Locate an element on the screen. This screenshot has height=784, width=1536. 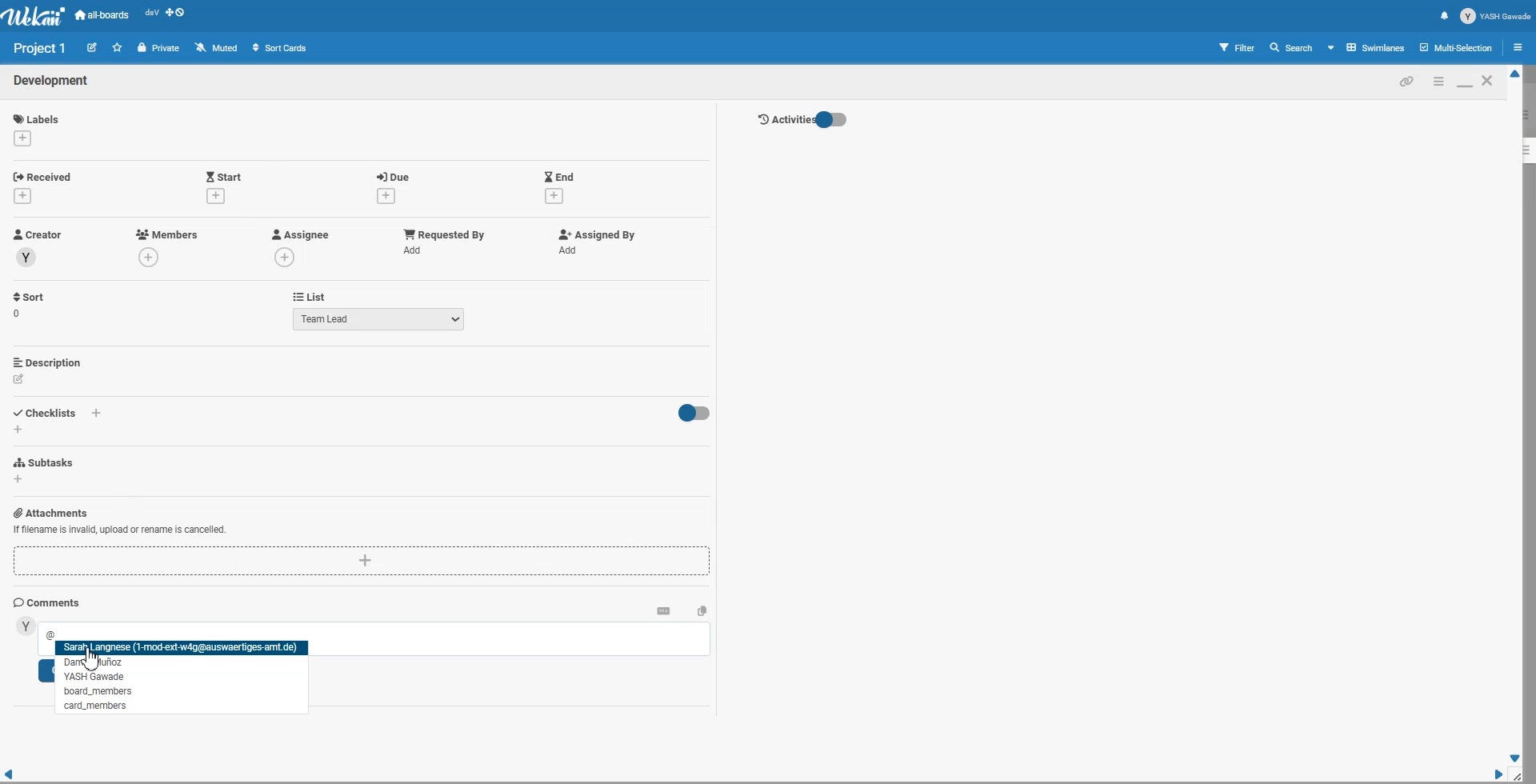
edit is located at coordinates (19, 379).